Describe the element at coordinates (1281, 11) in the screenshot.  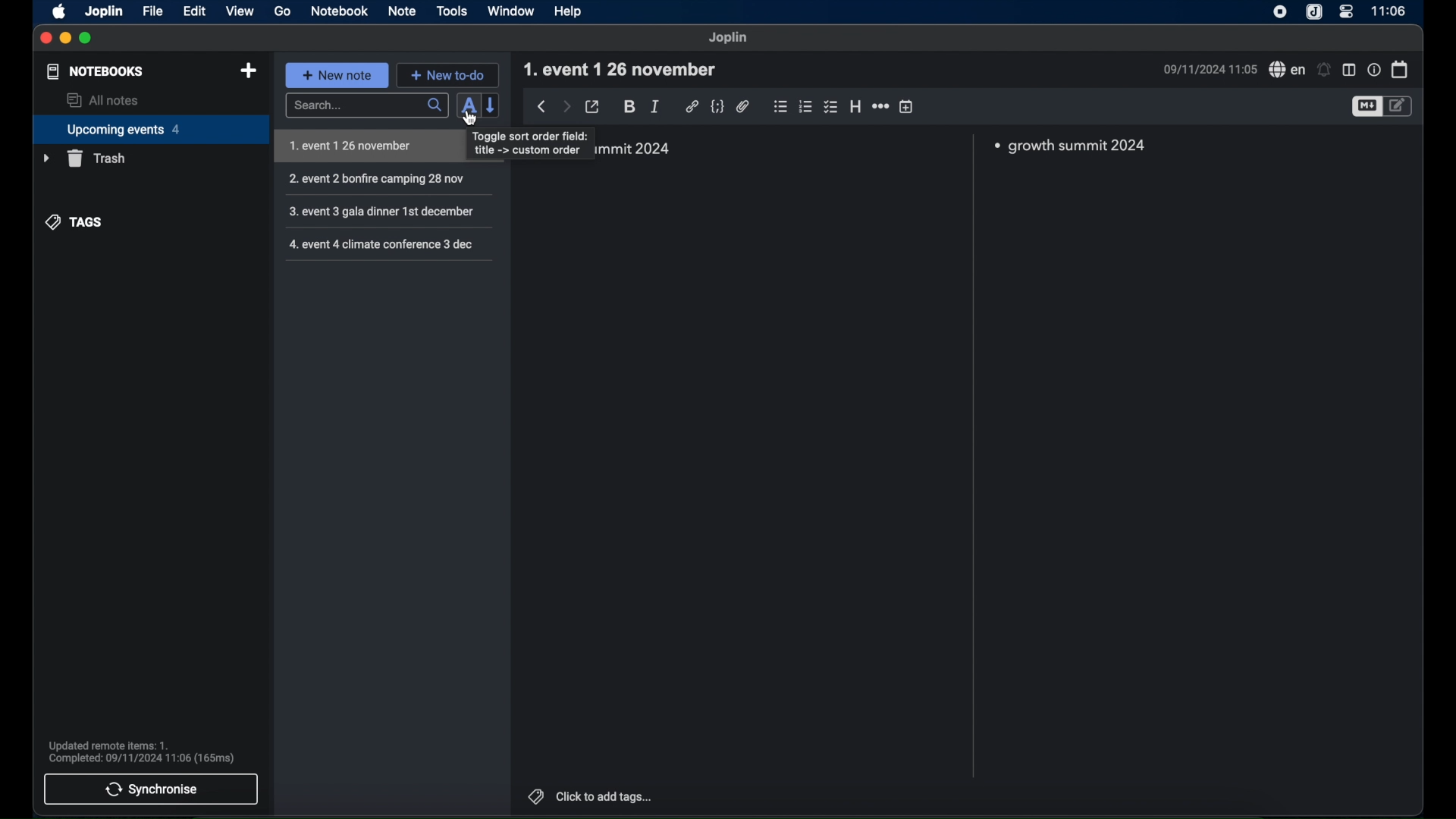
I see `screen recorder icon` at that location.